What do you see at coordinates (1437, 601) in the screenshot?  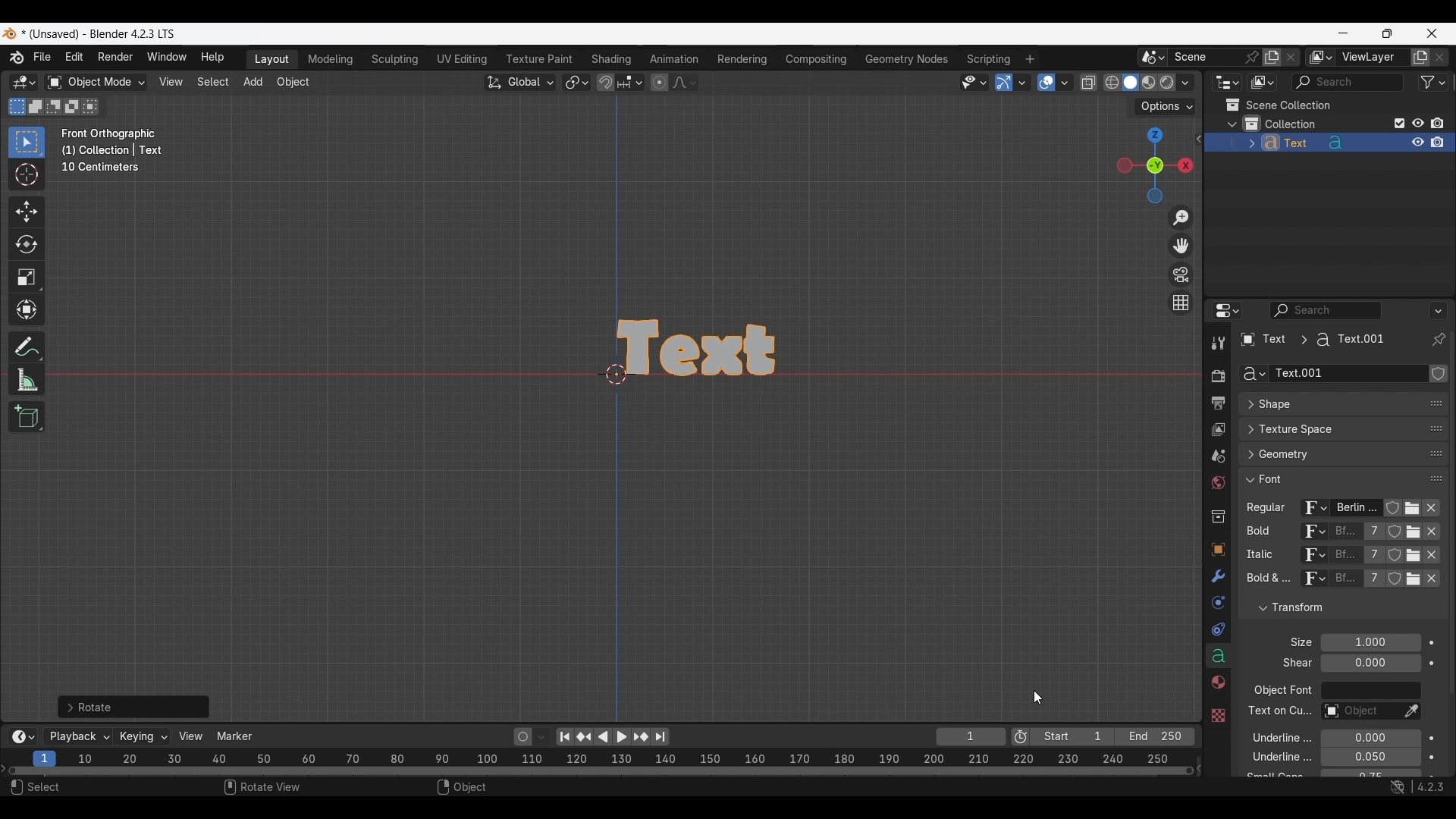 I see `Change order in the list` at bounding box center [1437, 601].